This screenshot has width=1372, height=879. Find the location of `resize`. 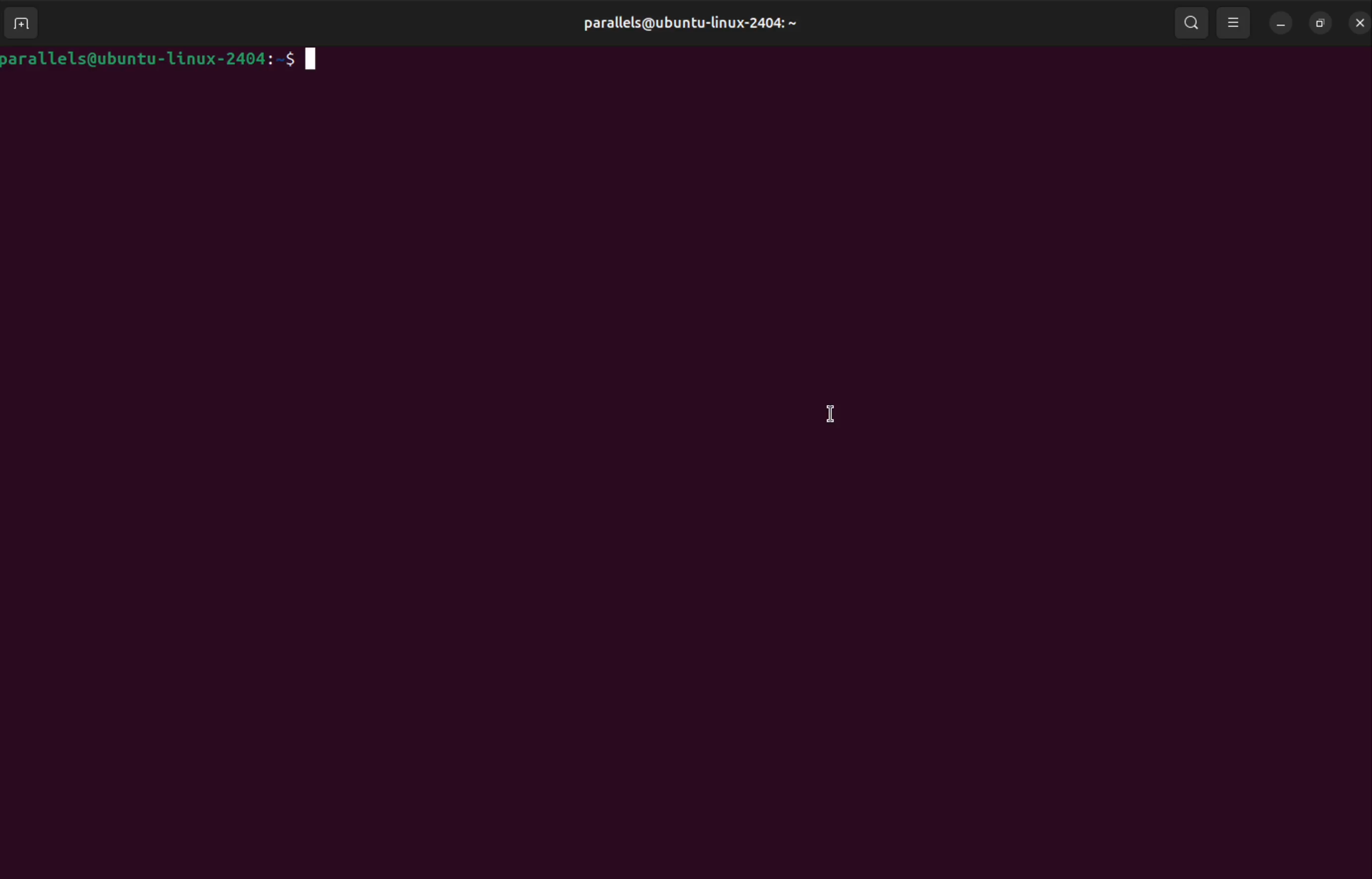

resize is located at coordinates (1320, 21).